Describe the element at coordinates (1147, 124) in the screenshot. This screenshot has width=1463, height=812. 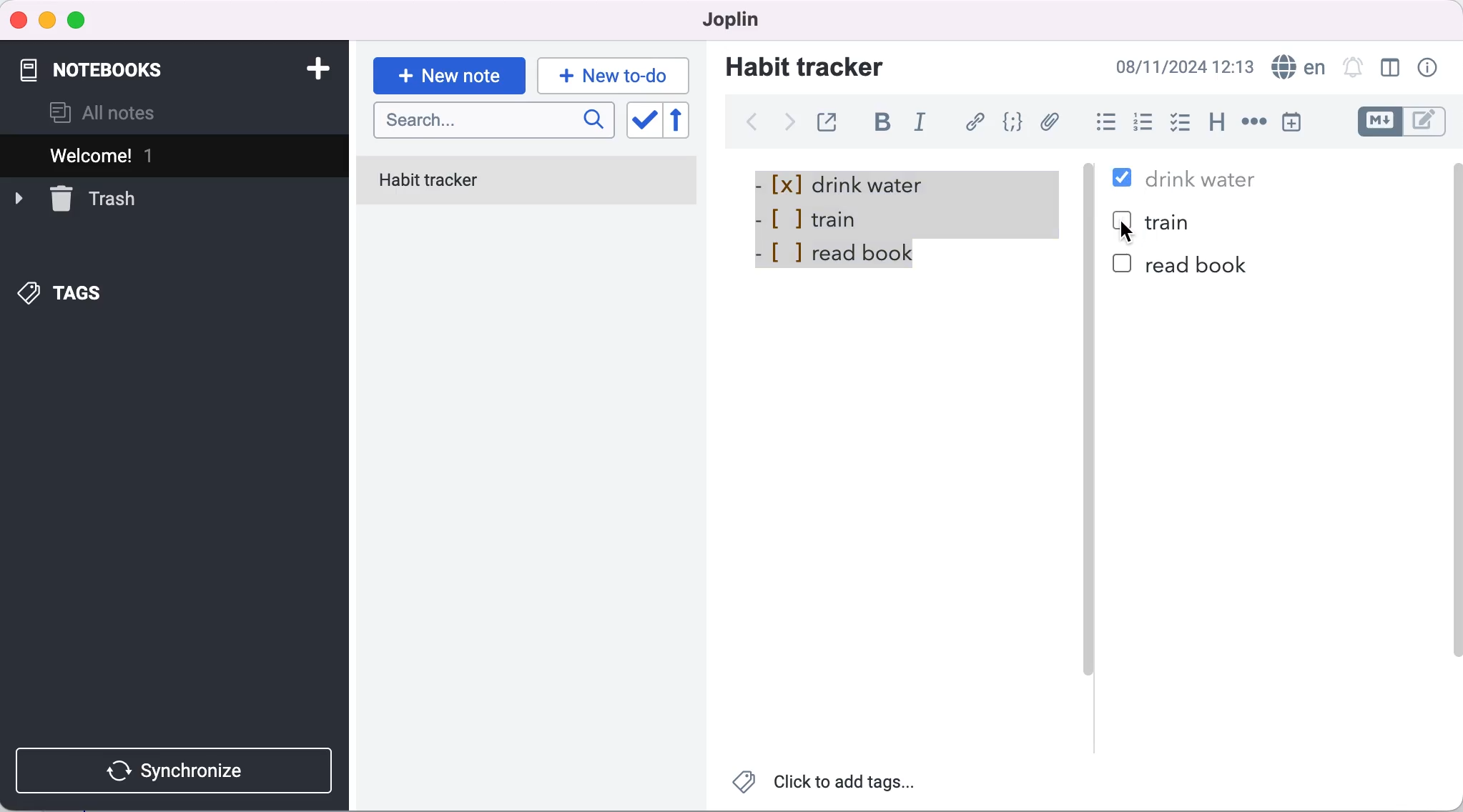
I see `numbered list` at that location.